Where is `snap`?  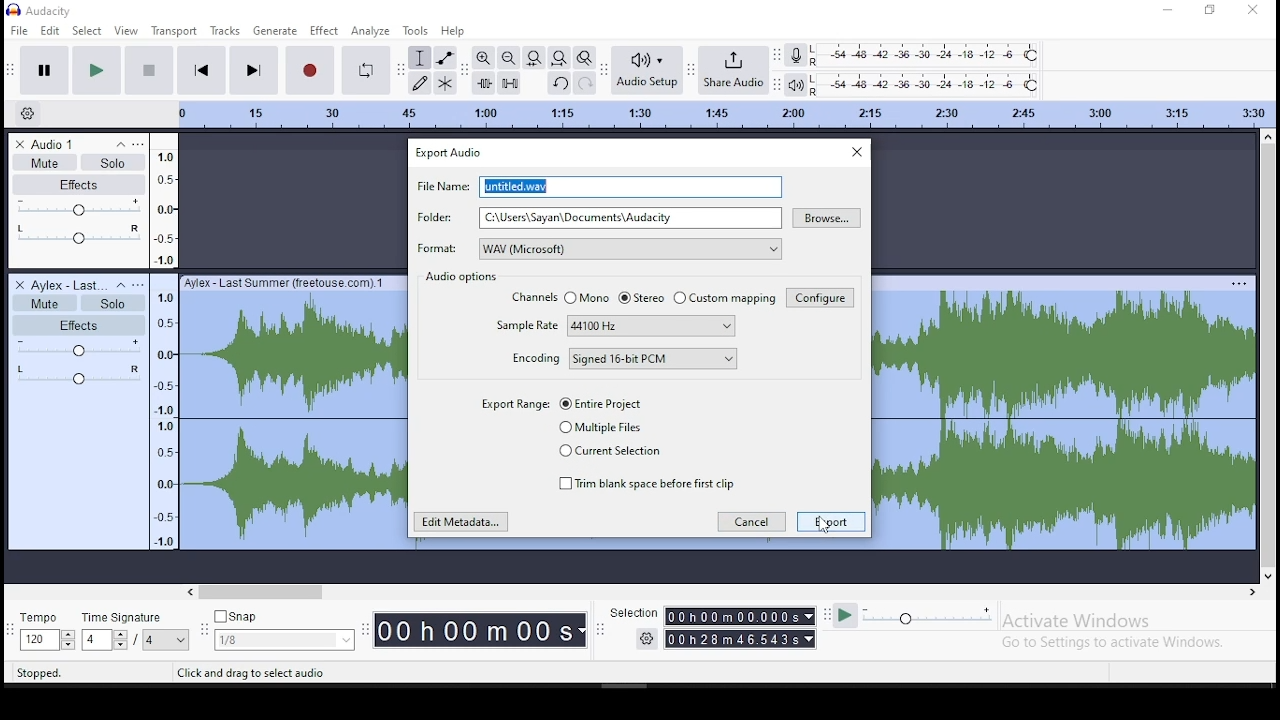 snap is located at coordinates (285, 631).